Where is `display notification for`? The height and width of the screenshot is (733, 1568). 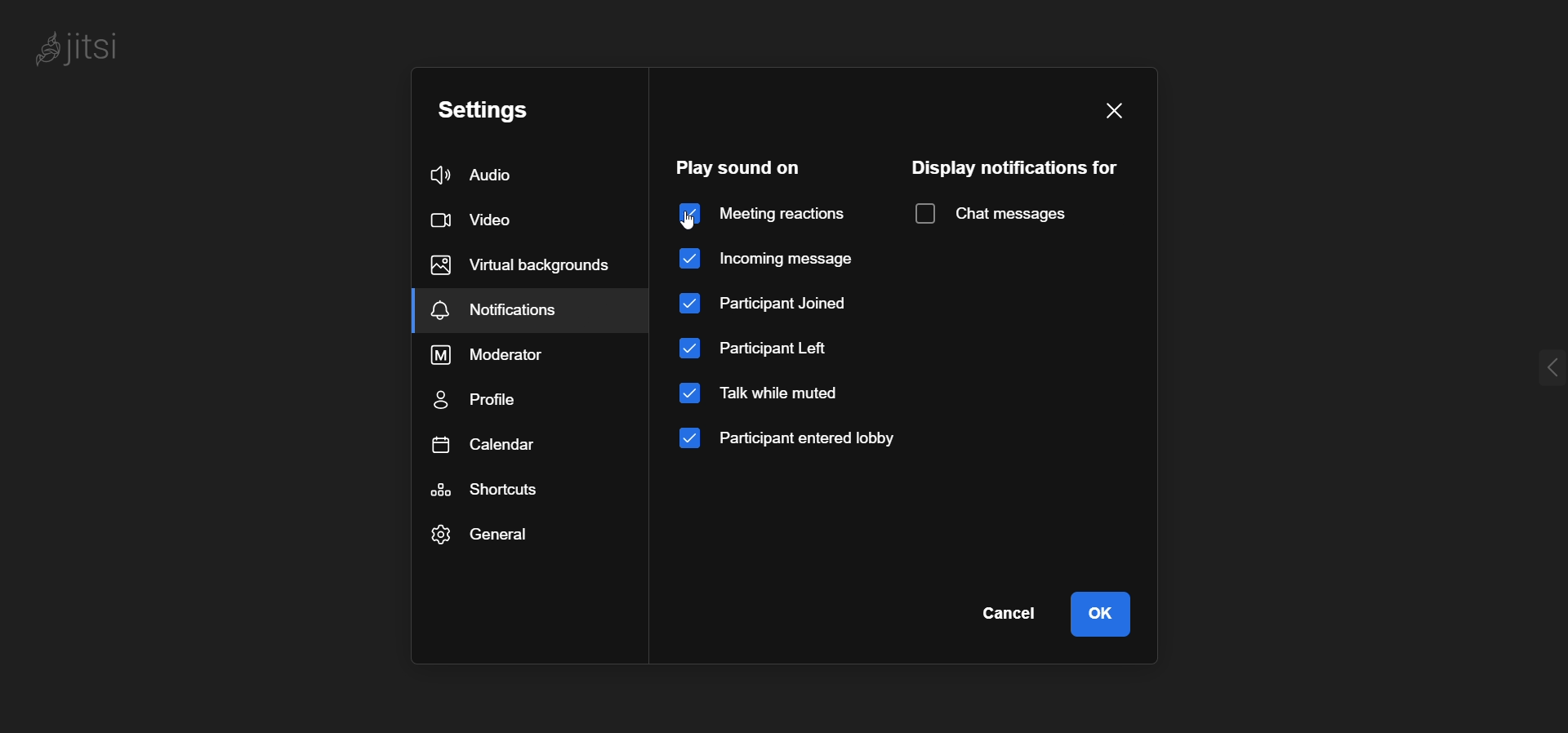
display notification for is located at coordinates (1013, 168).